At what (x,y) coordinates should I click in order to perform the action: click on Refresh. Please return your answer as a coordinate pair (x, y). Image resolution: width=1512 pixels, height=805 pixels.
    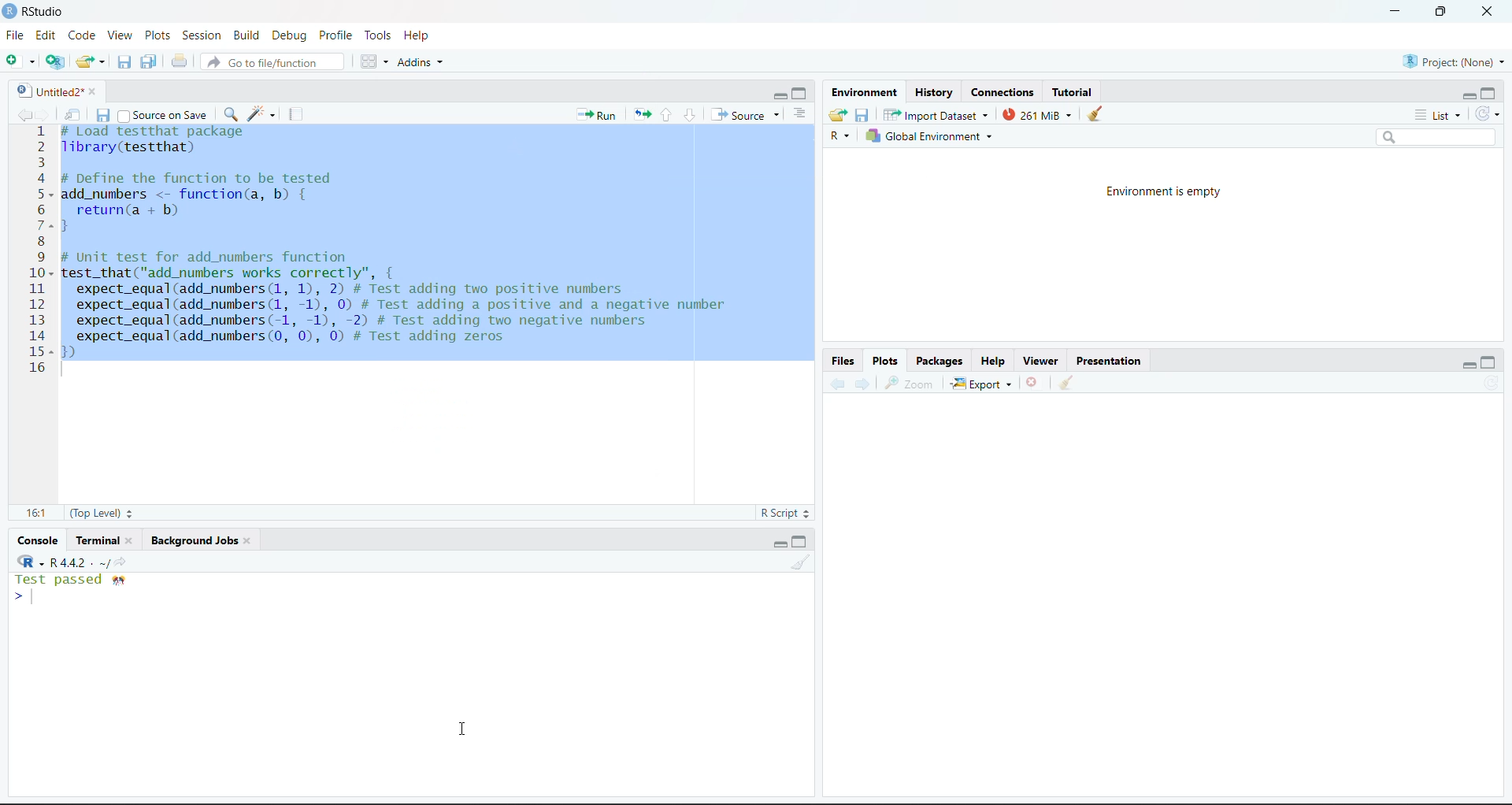
    Looking at the image, I should click on (1485, 114).